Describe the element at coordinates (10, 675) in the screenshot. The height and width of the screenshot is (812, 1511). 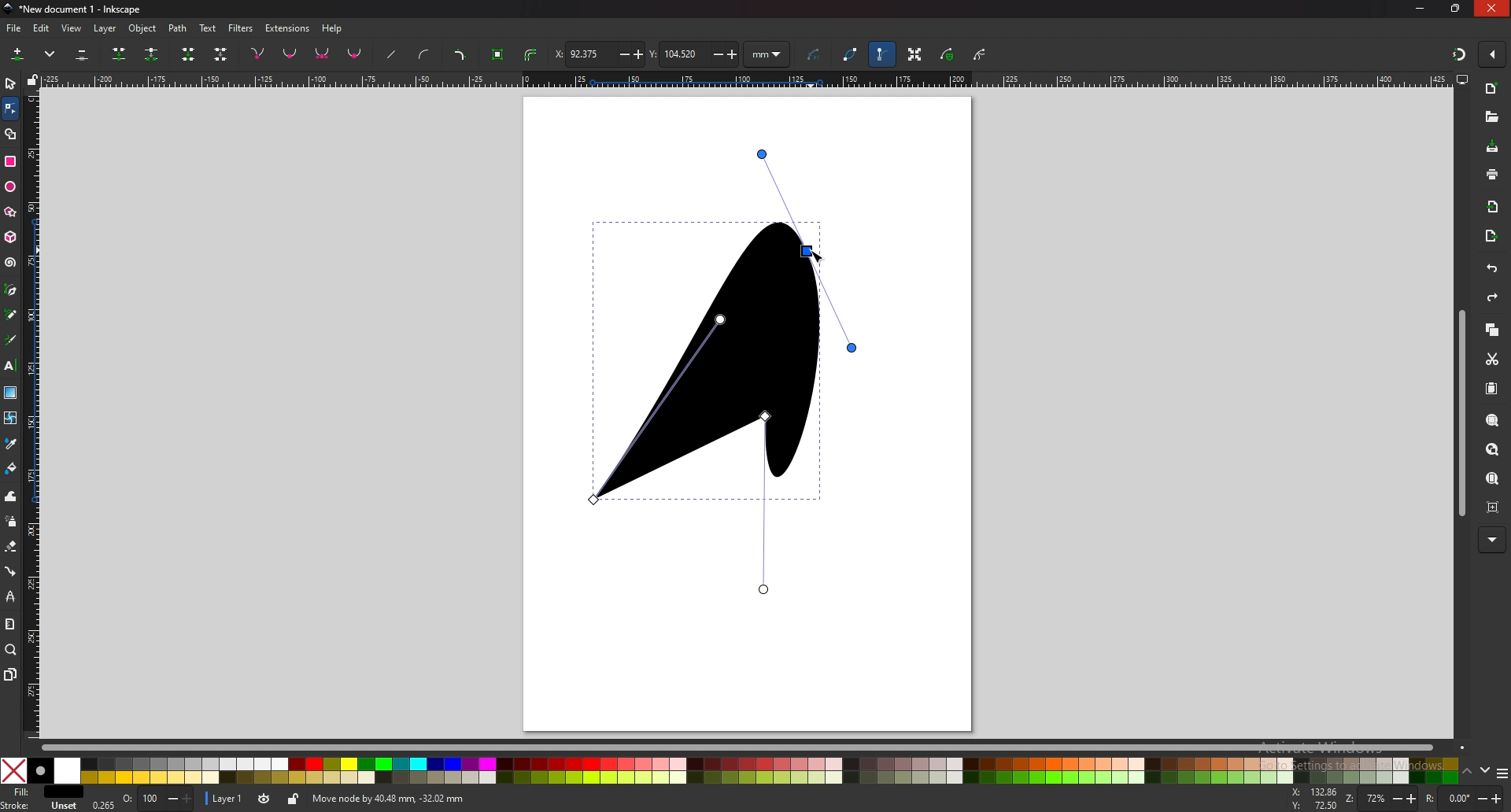
I see `pages` at that location.